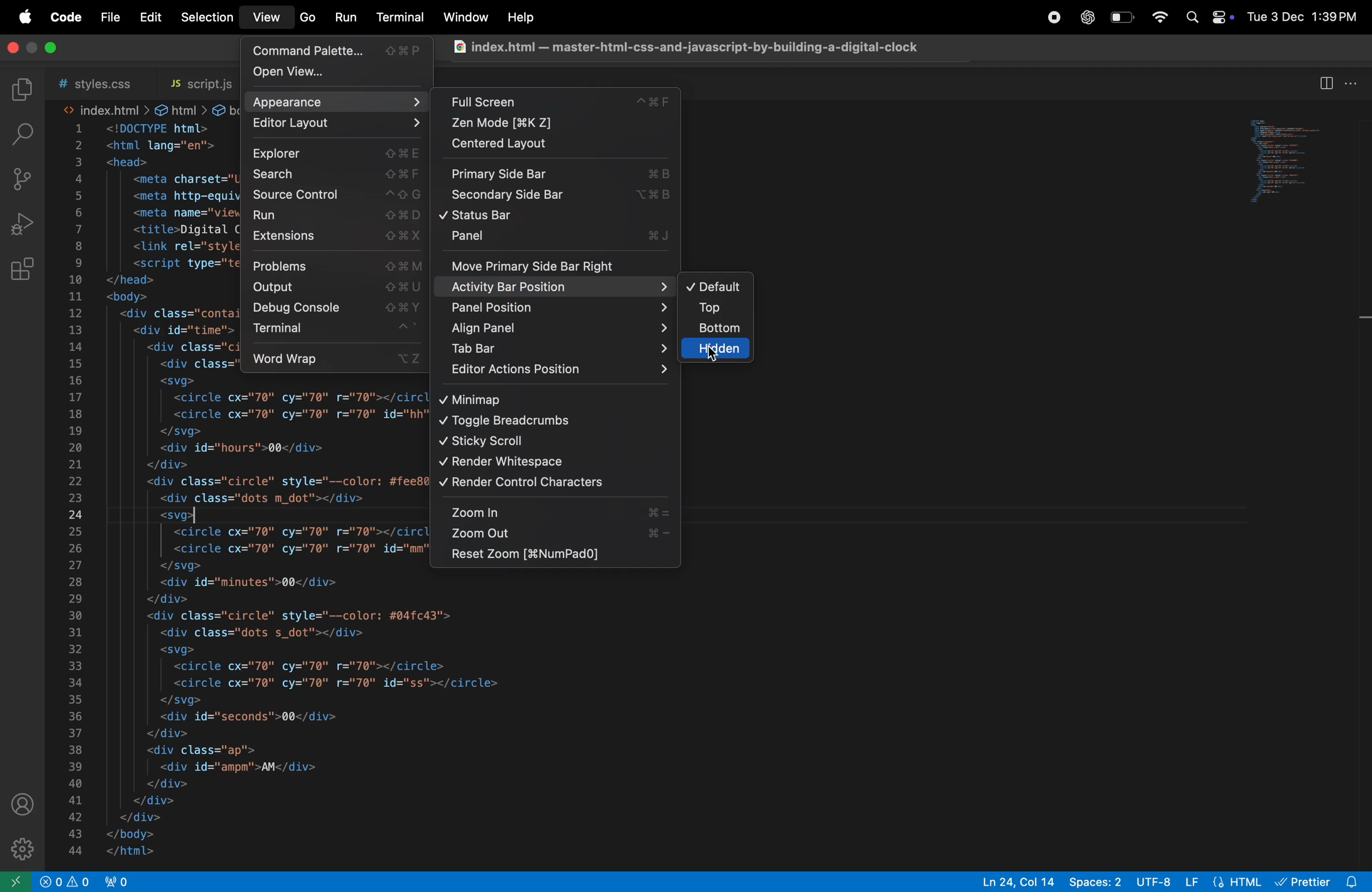  Describe the element at coordinates (549, 555) in the screenshot. I see `reset zoom touch pad` at that location.